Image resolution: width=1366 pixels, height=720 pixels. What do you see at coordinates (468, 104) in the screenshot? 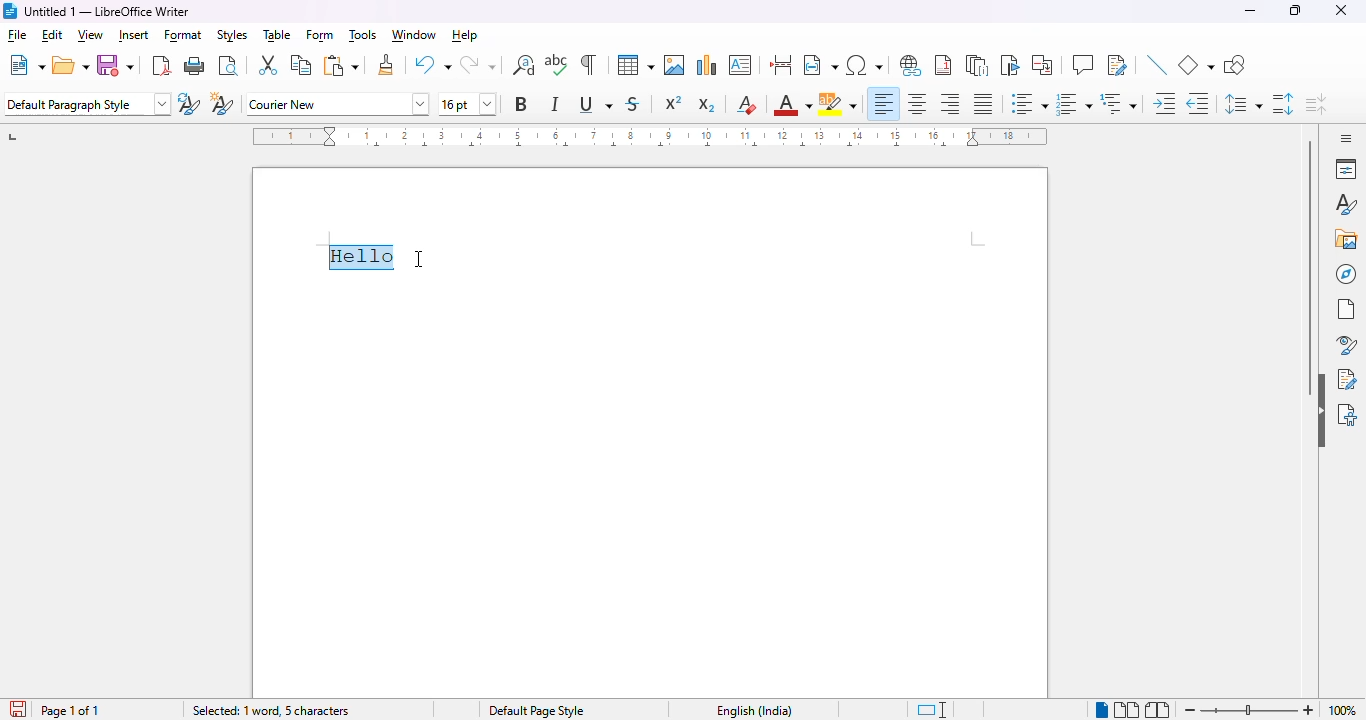
I see `font size` at bounding box center [468, 104].